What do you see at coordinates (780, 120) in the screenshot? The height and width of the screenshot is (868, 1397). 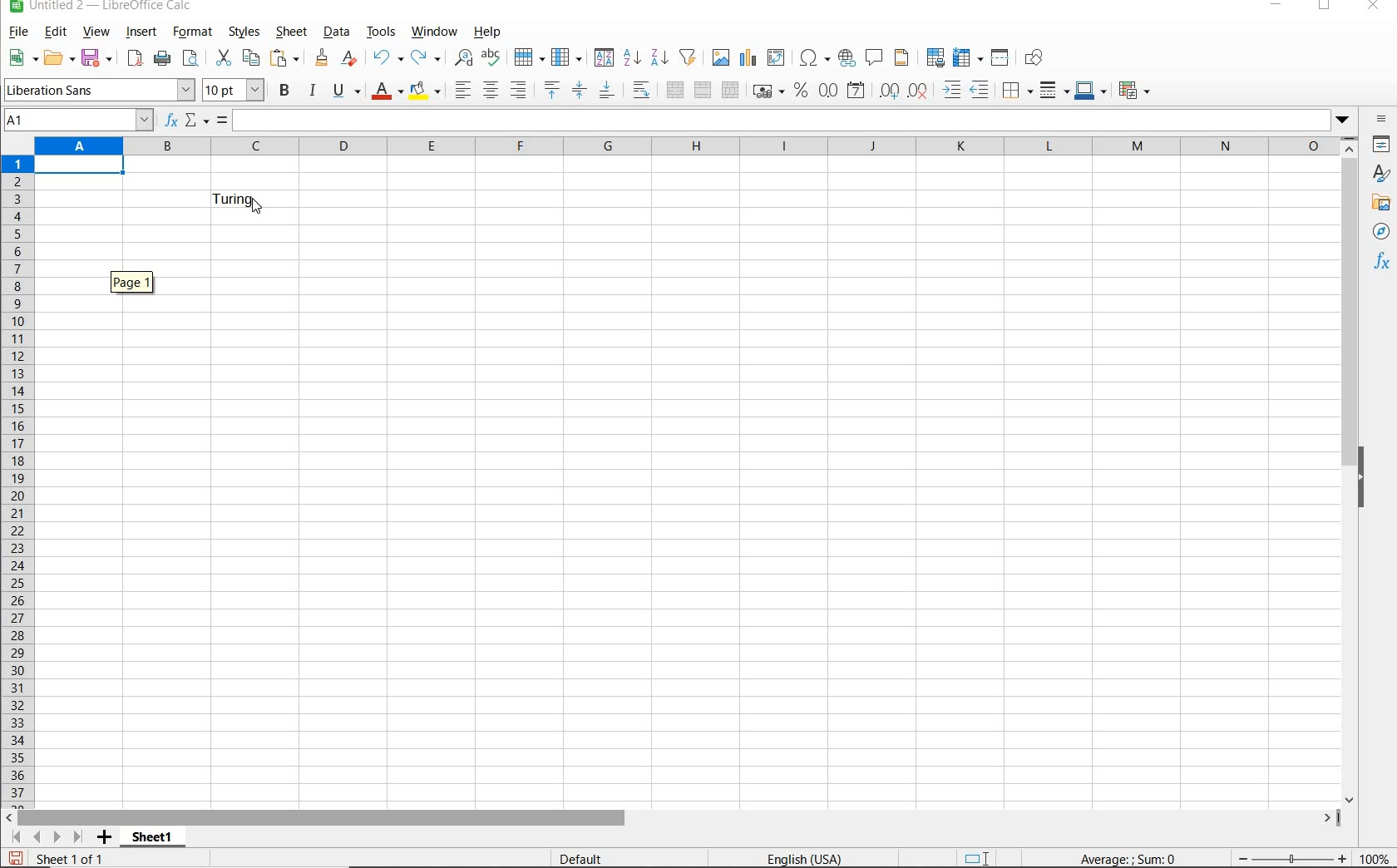 I see `EXPAND FORMULA BAR` at bounding box center [780, 120].